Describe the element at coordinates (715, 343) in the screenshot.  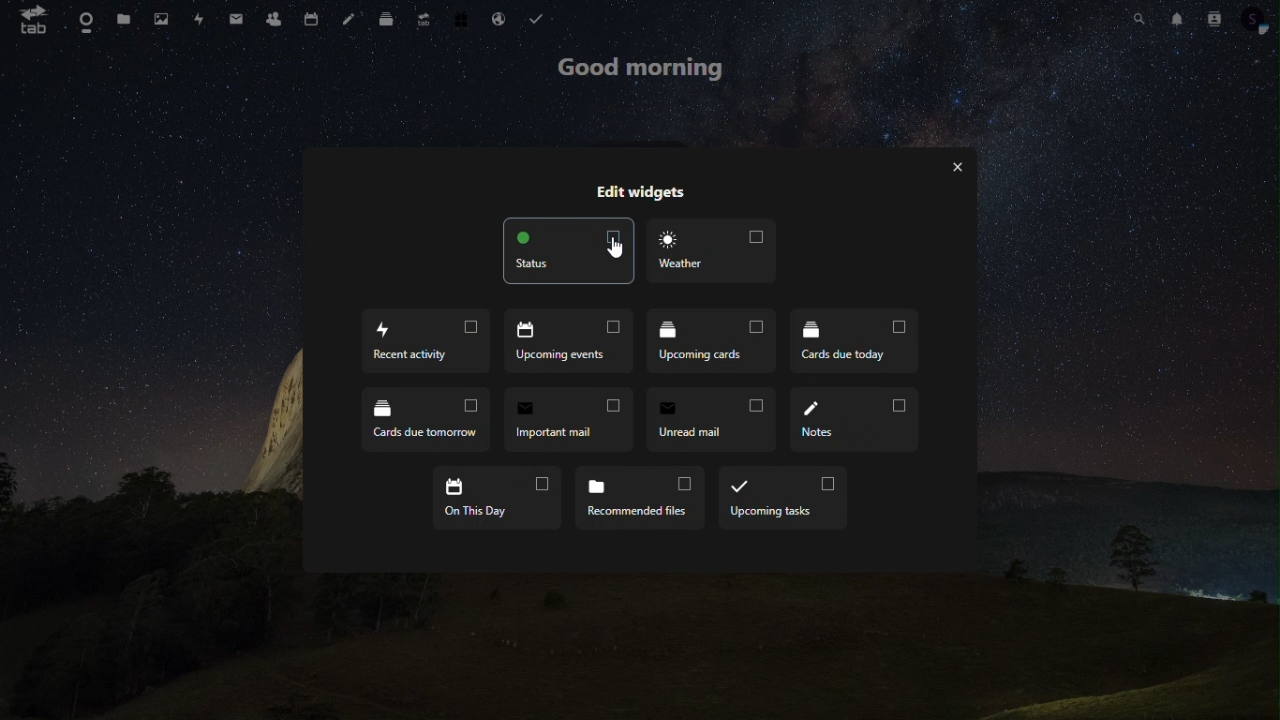
I see `upcoming card` at that location.